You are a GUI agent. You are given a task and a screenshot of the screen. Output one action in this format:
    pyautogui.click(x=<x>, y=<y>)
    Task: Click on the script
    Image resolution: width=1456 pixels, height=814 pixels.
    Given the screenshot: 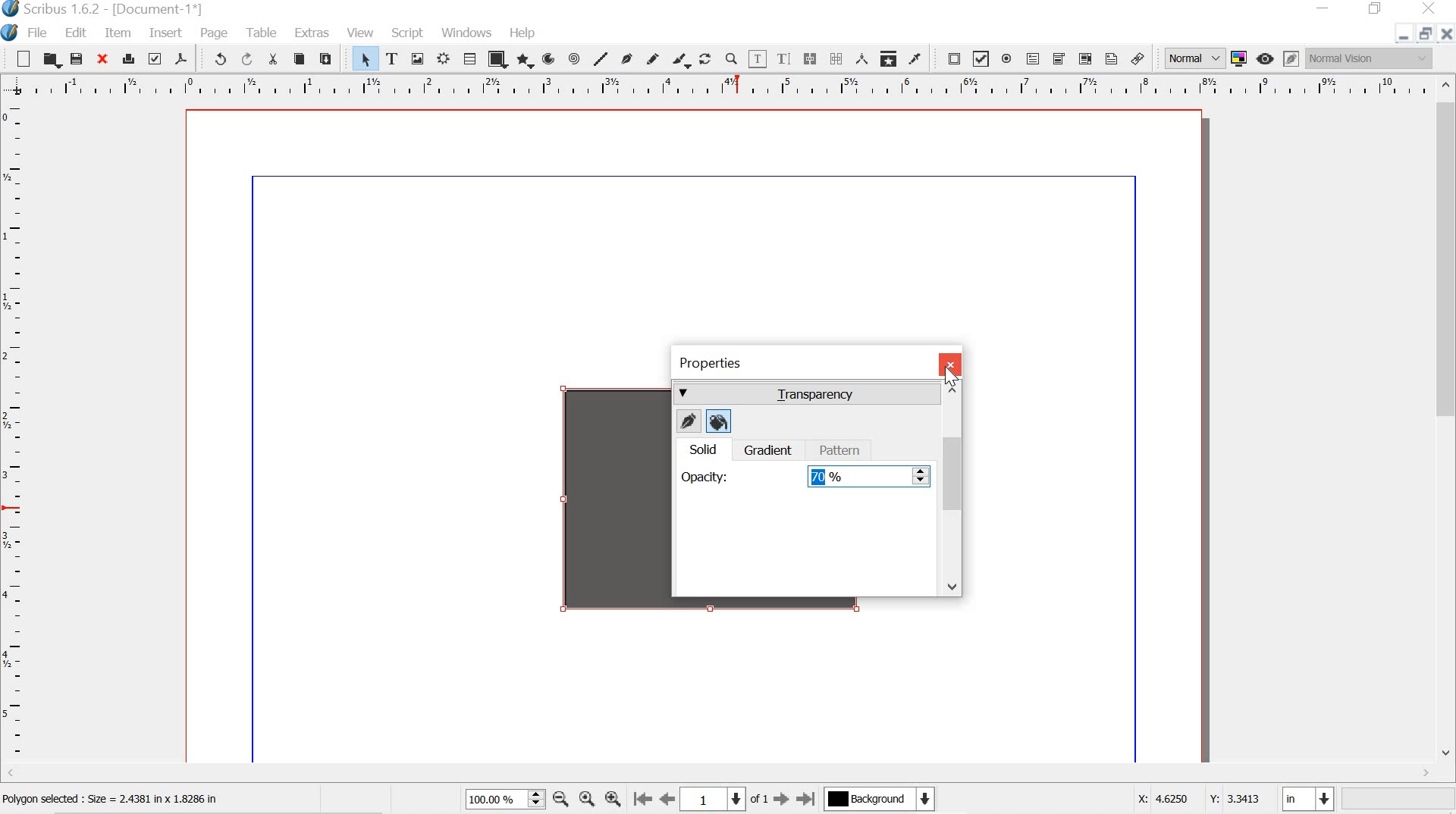 What is the action you would take?
    pyautogui.click(x=409, y=33)
    